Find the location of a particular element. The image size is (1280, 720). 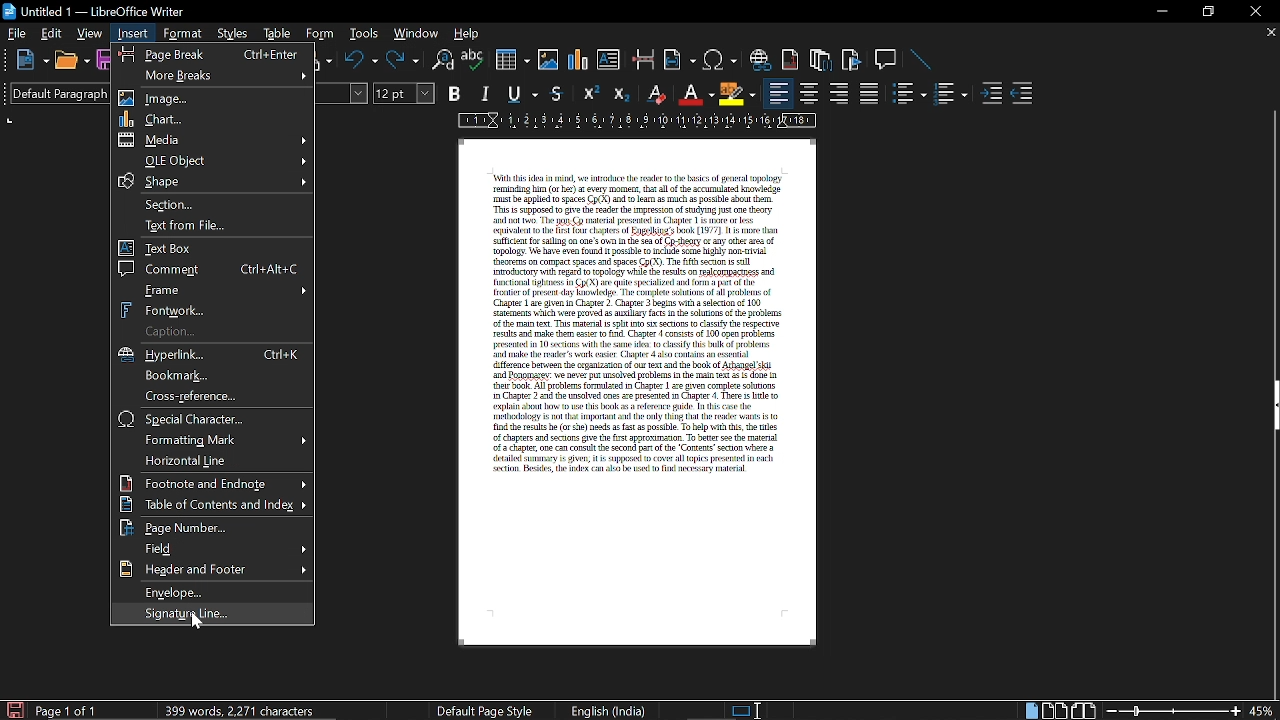

insert table is located at coordinates (511, 60).